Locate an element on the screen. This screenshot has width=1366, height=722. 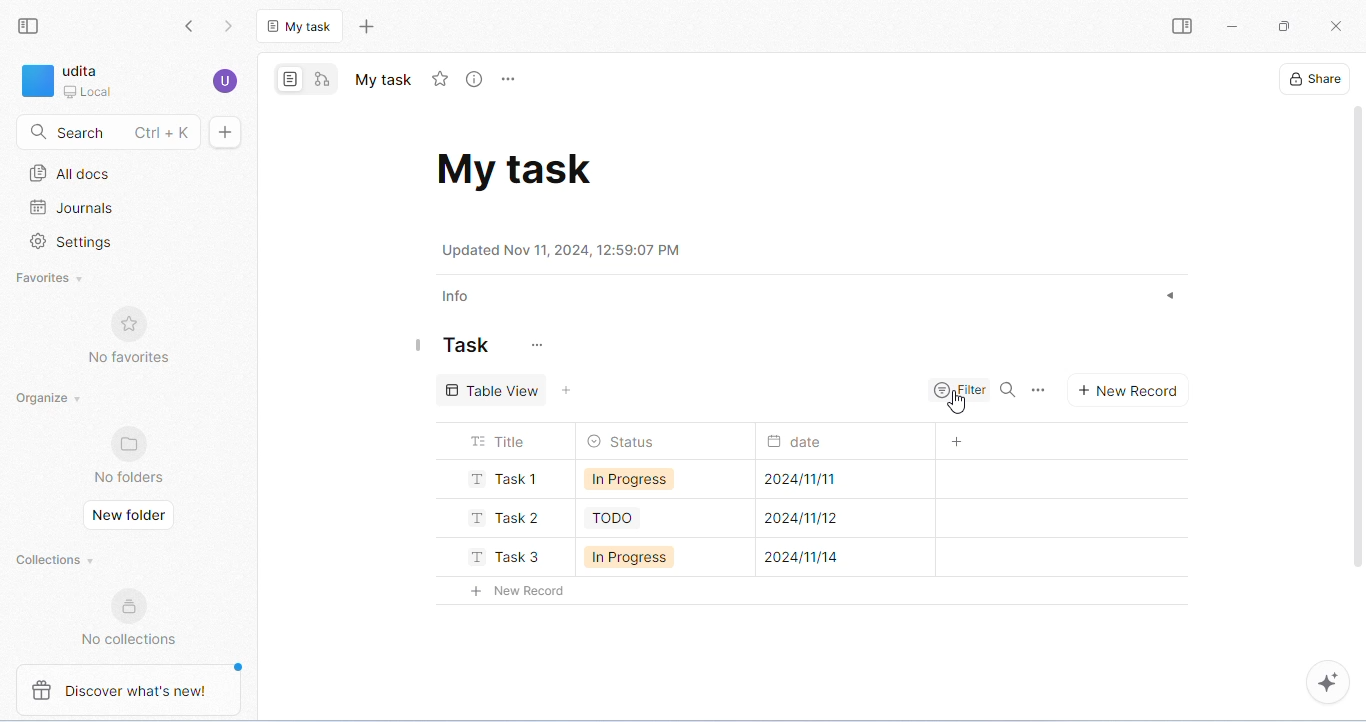
add favorite is located at coordinates (440, 79).